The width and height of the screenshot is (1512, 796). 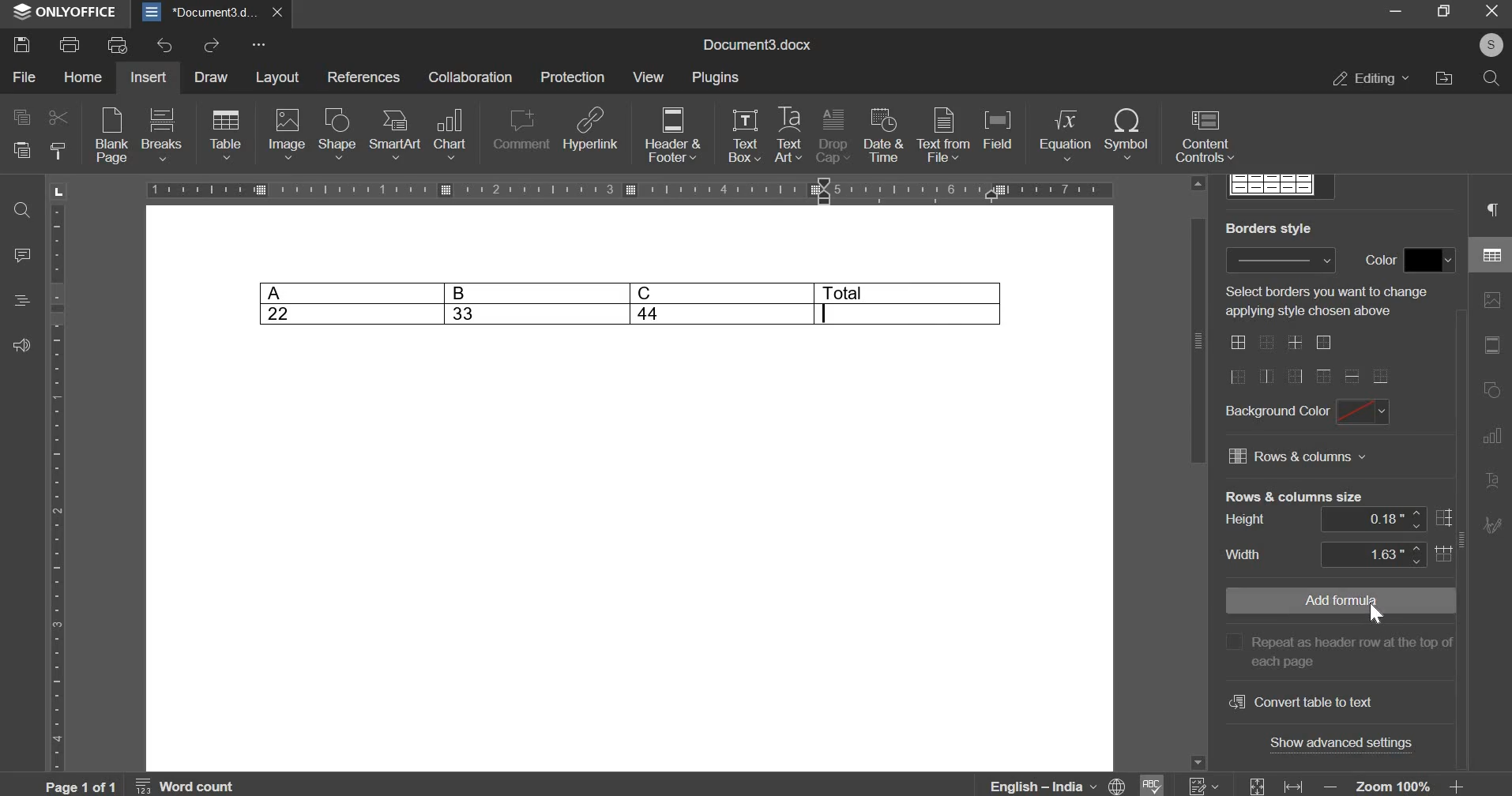 What do you see at coordinates (1198, 763) in the screenshot?
I see `scroll down` at bounding box center [1198, 763].